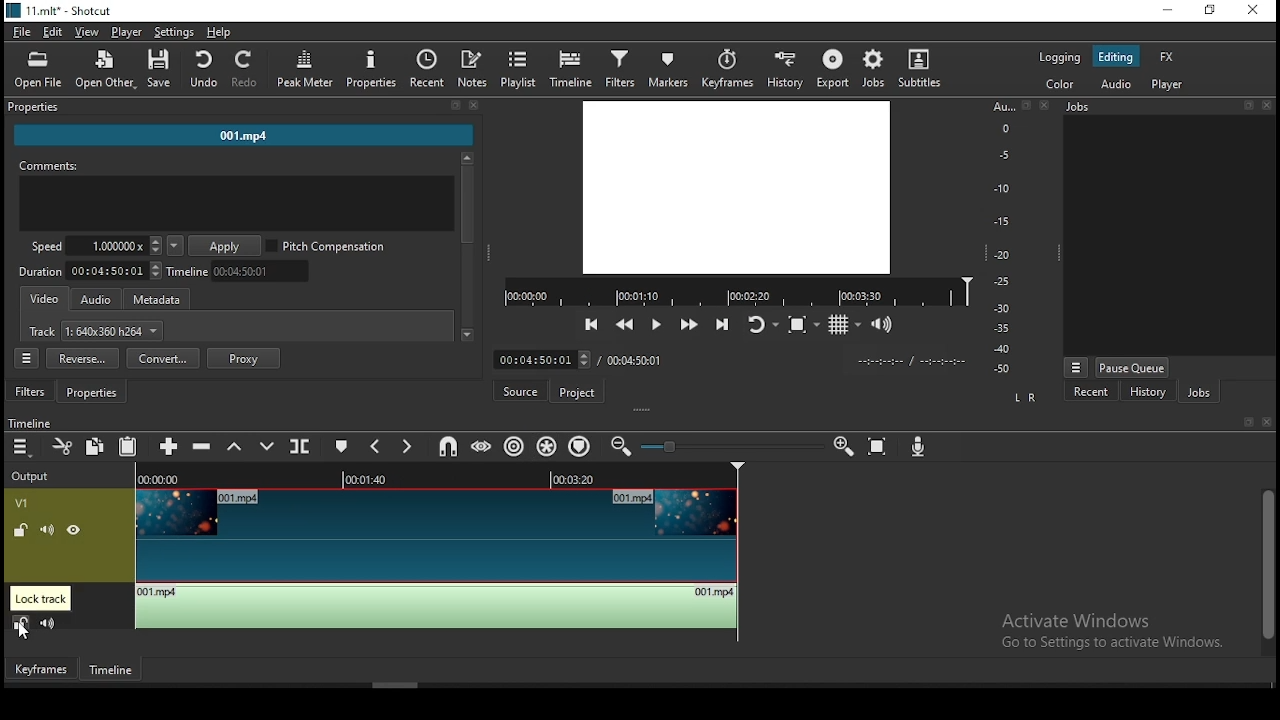  I want to click on zoom timeline , so click(840, 445).